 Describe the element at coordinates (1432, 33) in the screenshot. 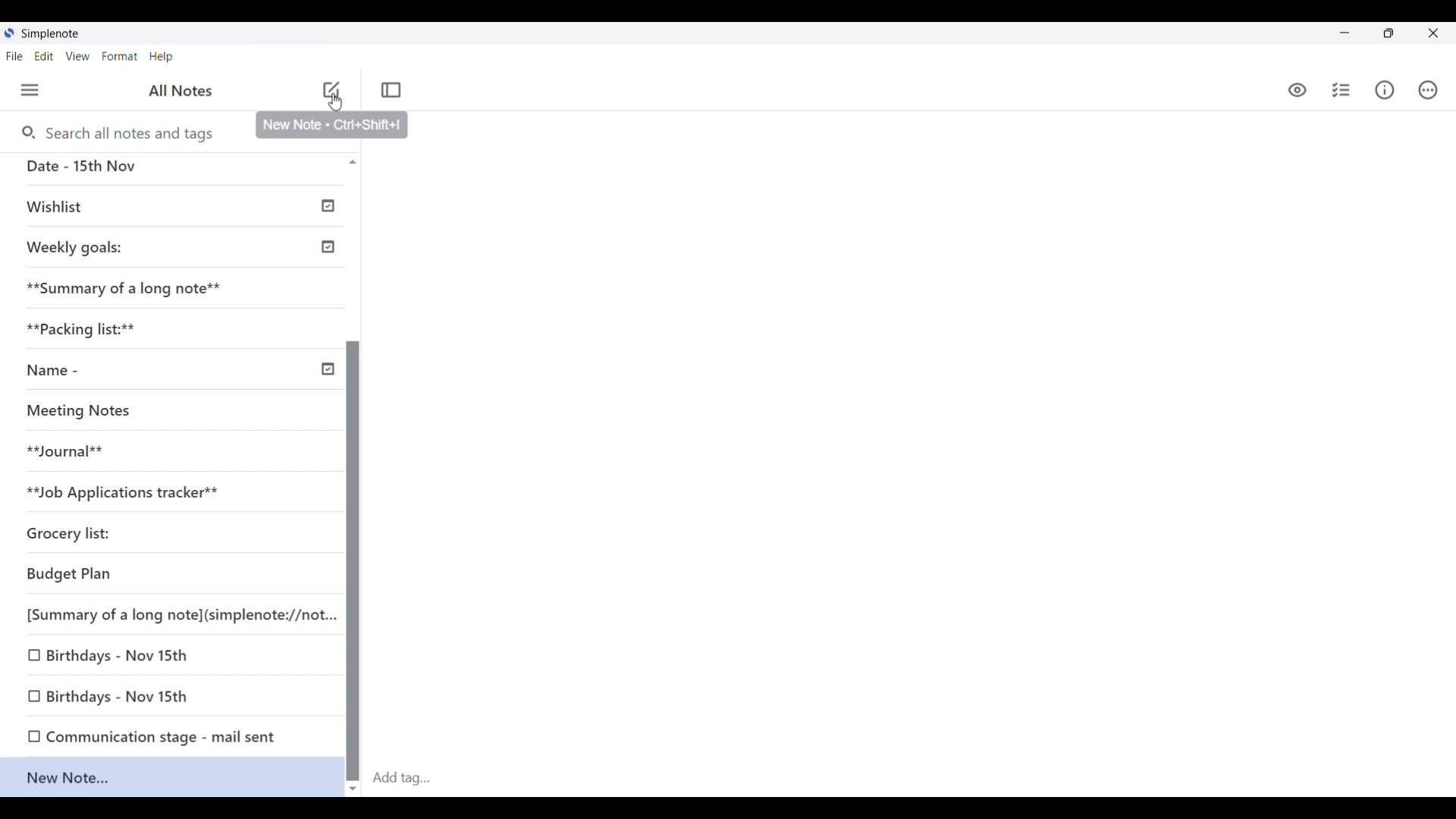

I see `Close interface` at that location.